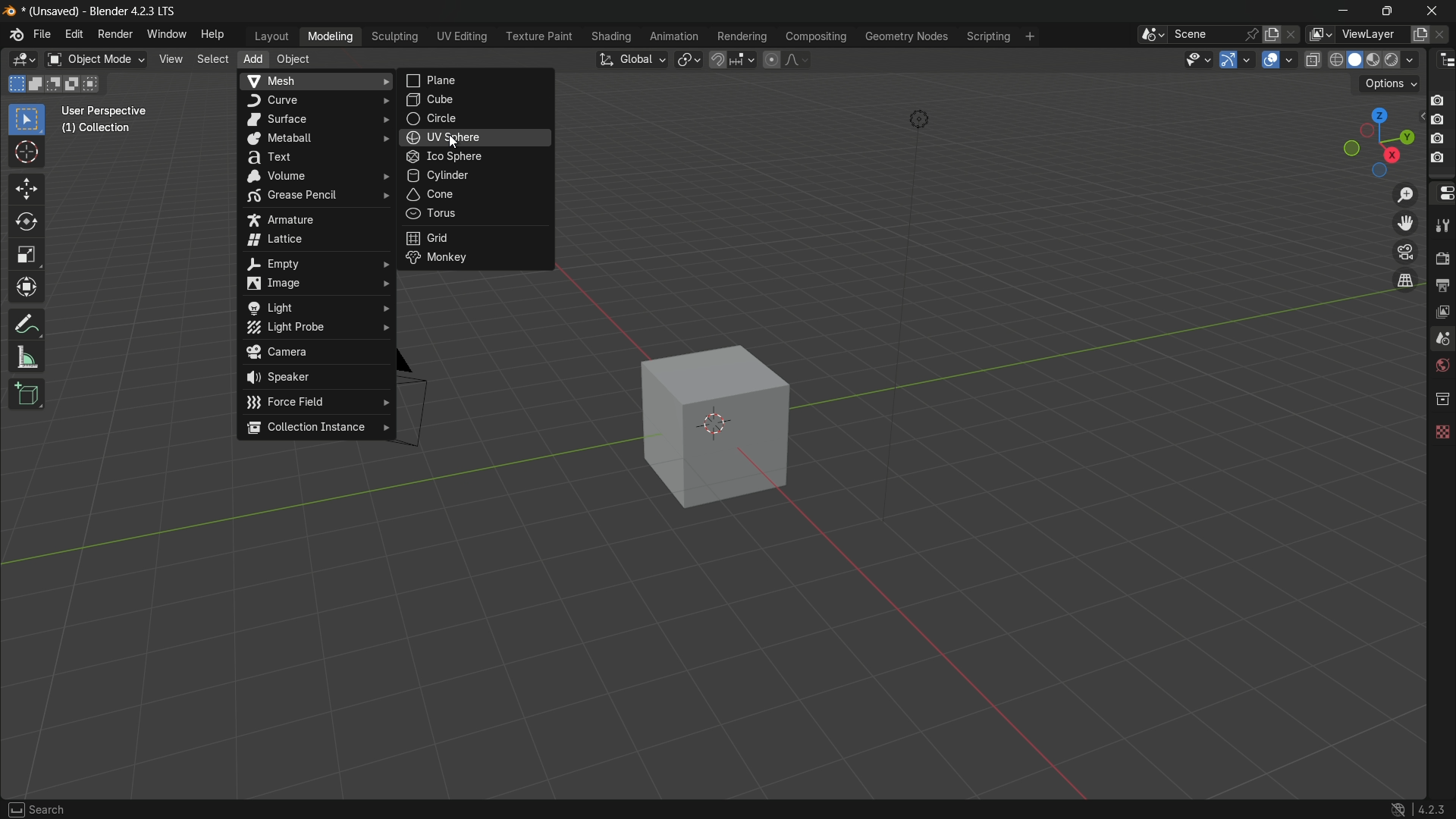 This screenshot has width=1456, height=819. I want to click on world, so click(1442, 366).